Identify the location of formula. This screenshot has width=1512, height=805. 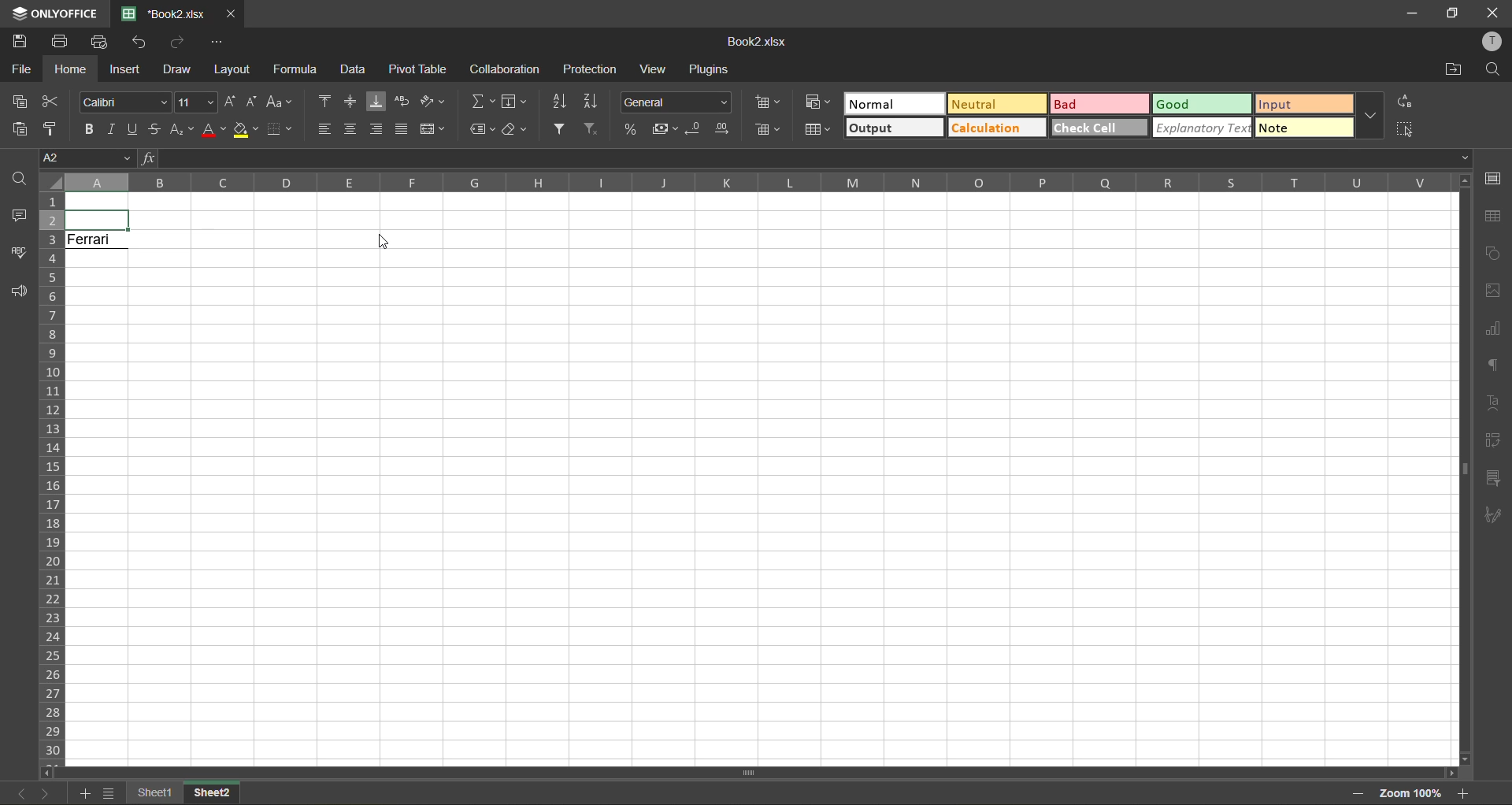
(297, 69).